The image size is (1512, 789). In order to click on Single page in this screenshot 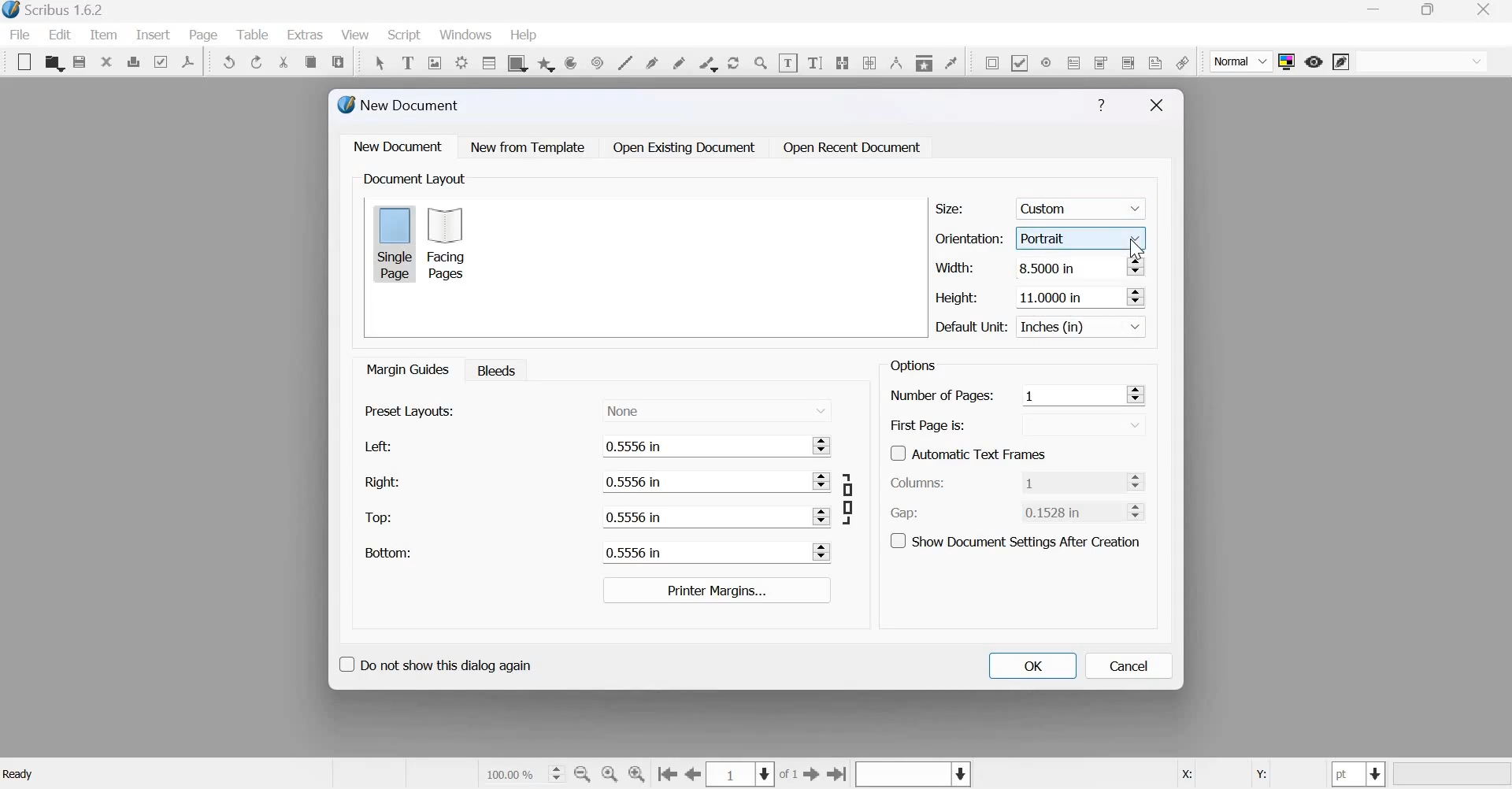, I will do `click(395, 243)`.